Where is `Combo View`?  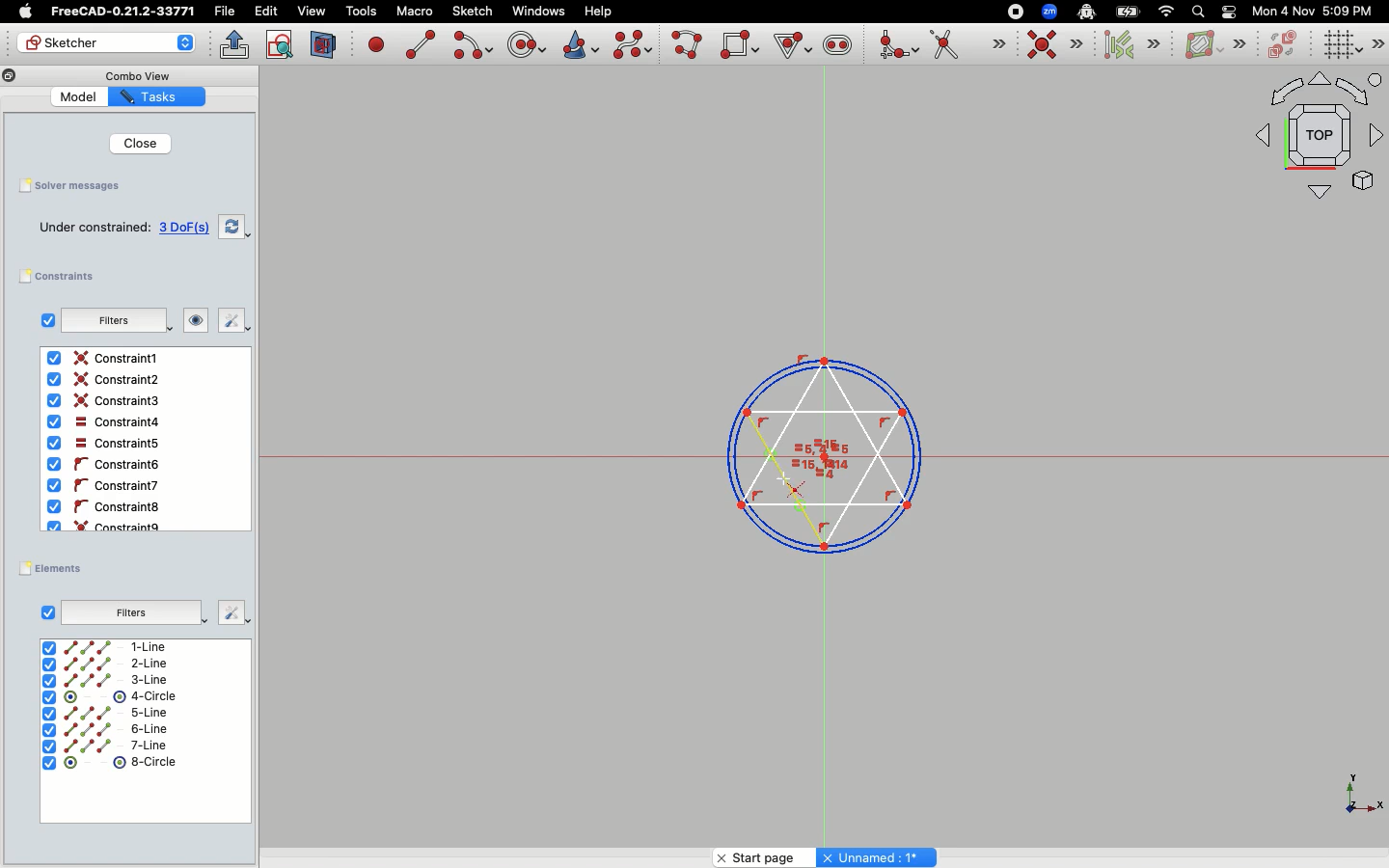 Combo View is located at coordinates (137, 75).